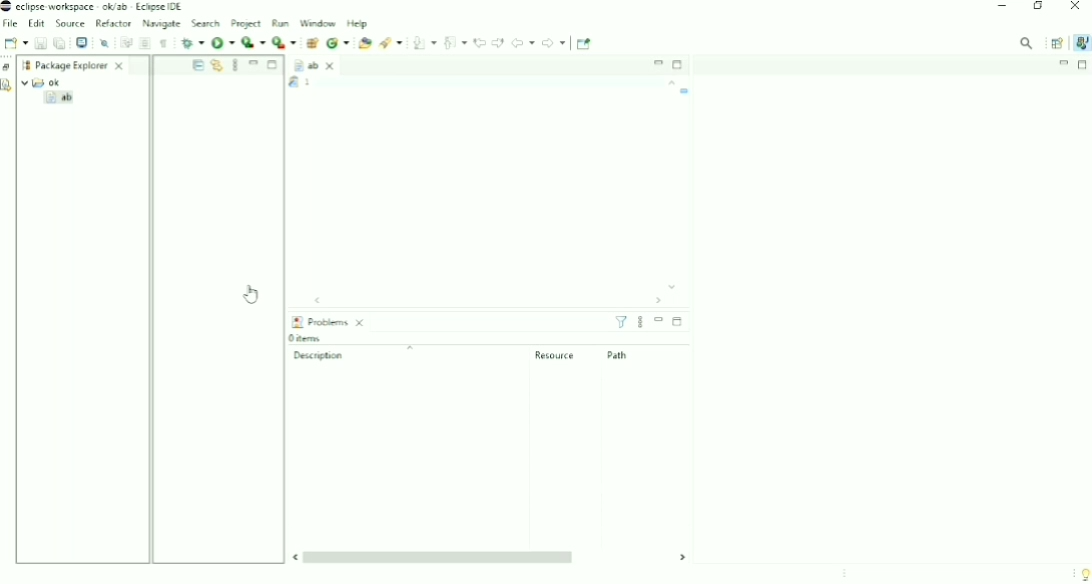 This screenshot has height=584, width=1092. Describe the element at coordinates (310, 338) in the screenshot. I see `0 items` at that location.